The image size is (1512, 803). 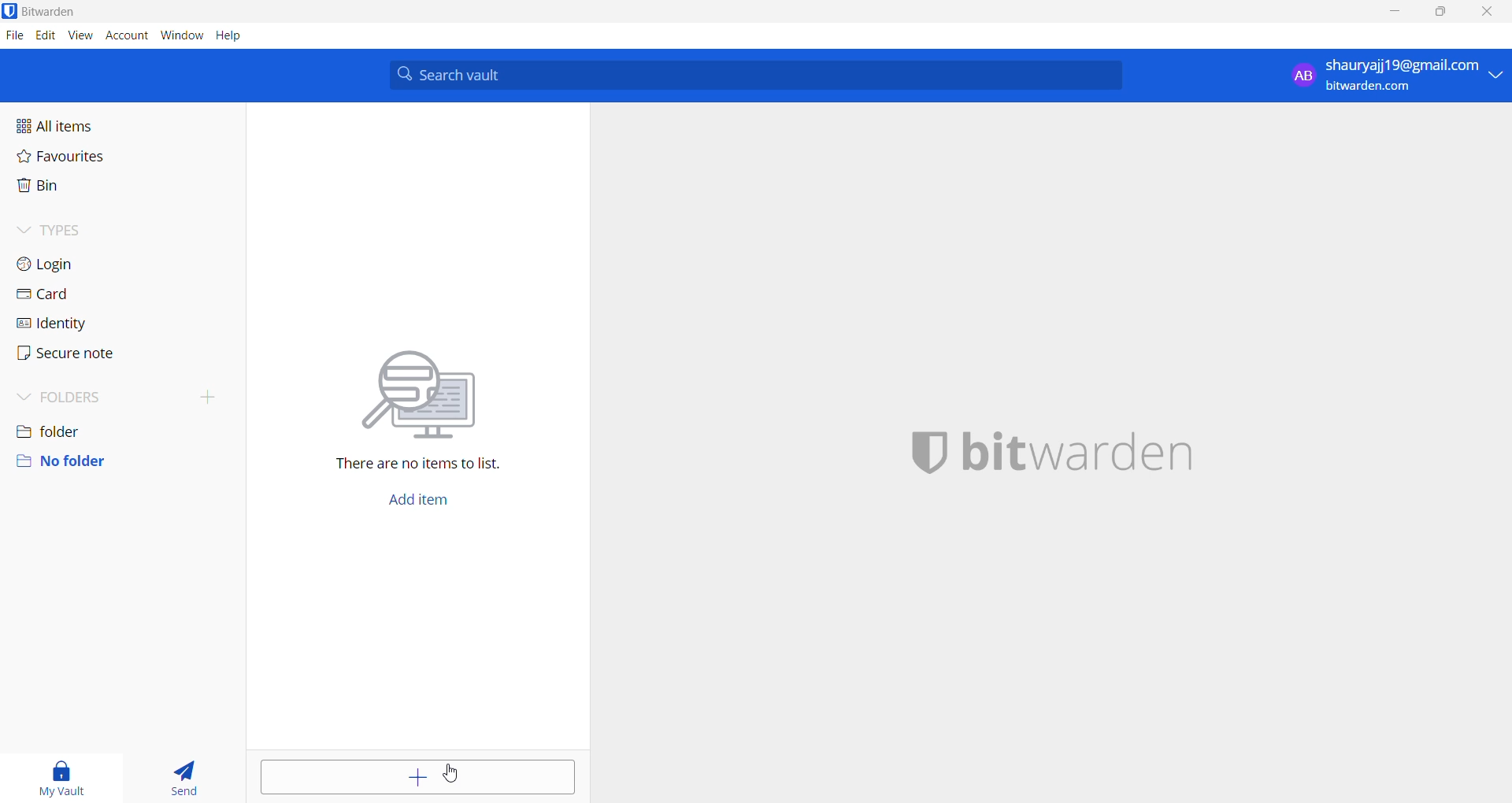 What do you see at coordinates (62, 774) in the screenshot?
I see `my vault` at bounding box center [62, 774].